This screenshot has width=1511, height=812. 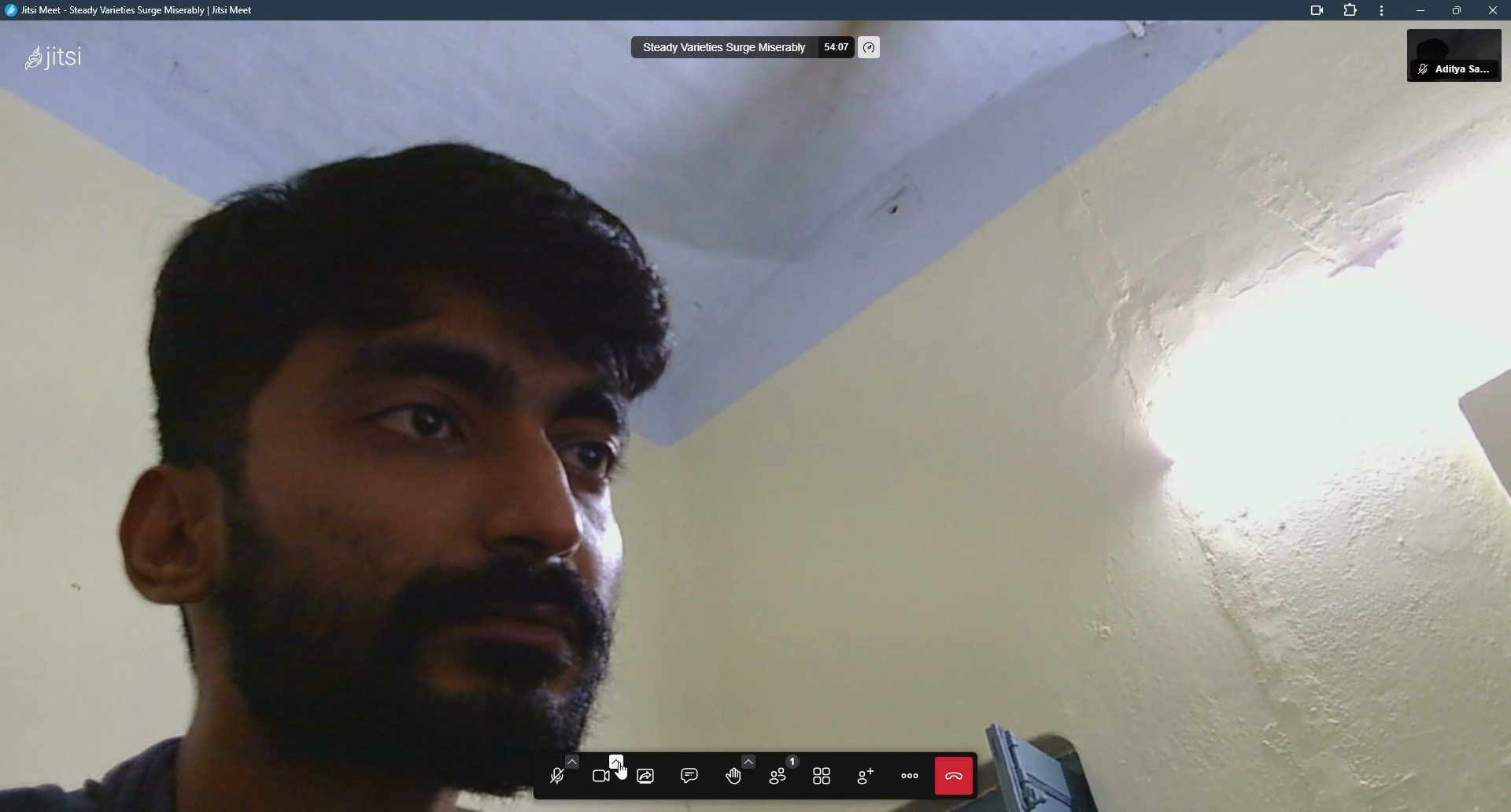 What do you see at coordinates (910, 776) in the screenshot?
I see `more actions` at bounding box center [910, 776].